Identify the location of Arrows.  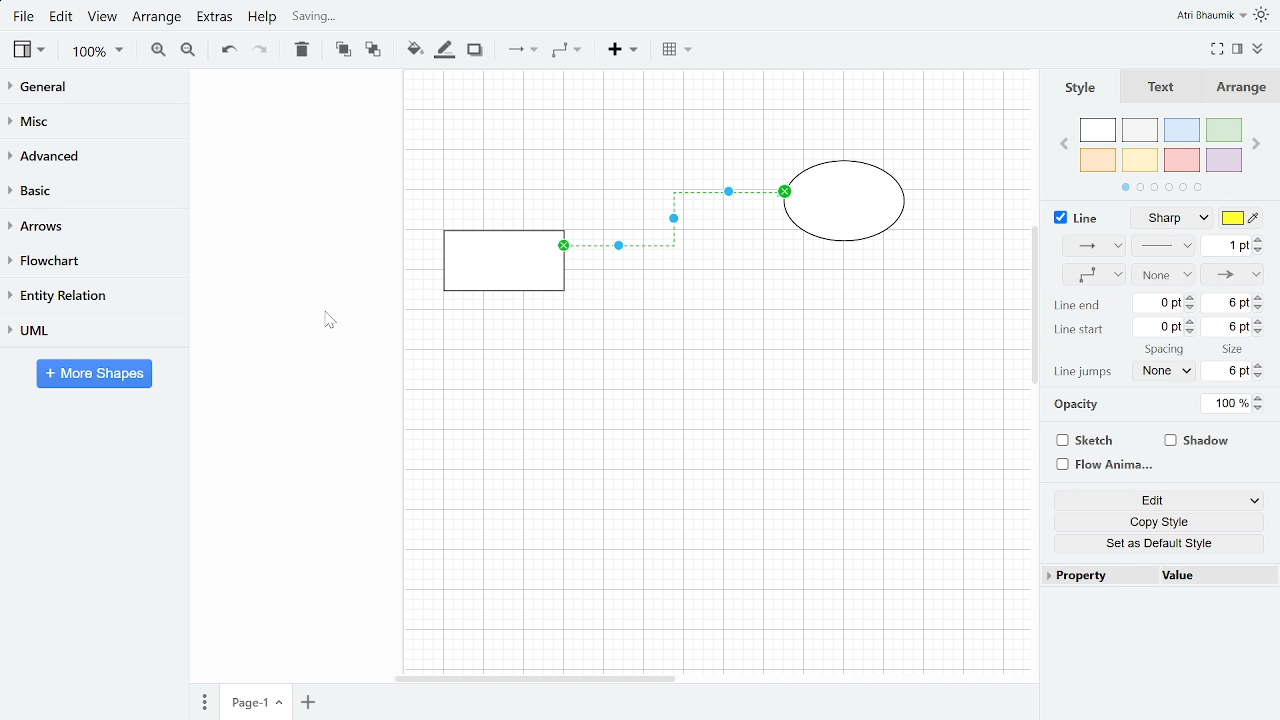
(93, 225).